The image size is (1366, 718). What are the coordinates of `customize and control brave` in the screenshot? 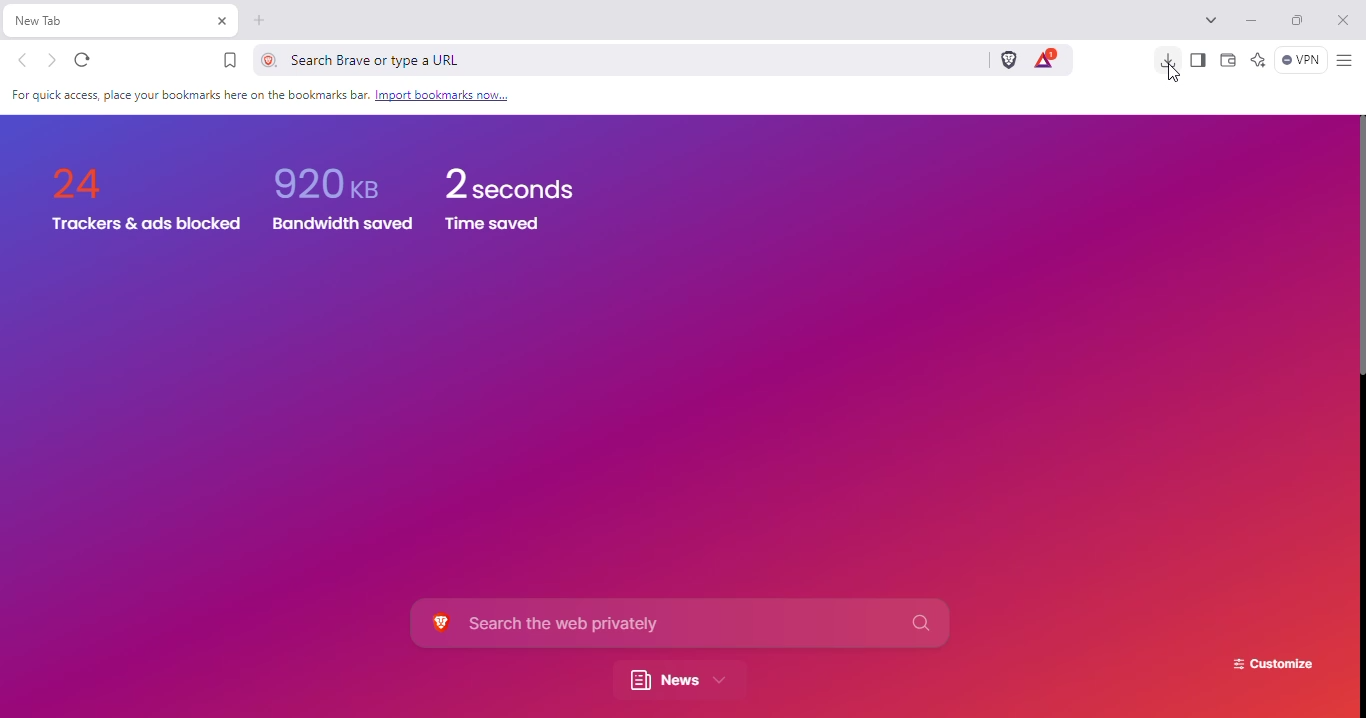 It's located at (1345, 61).